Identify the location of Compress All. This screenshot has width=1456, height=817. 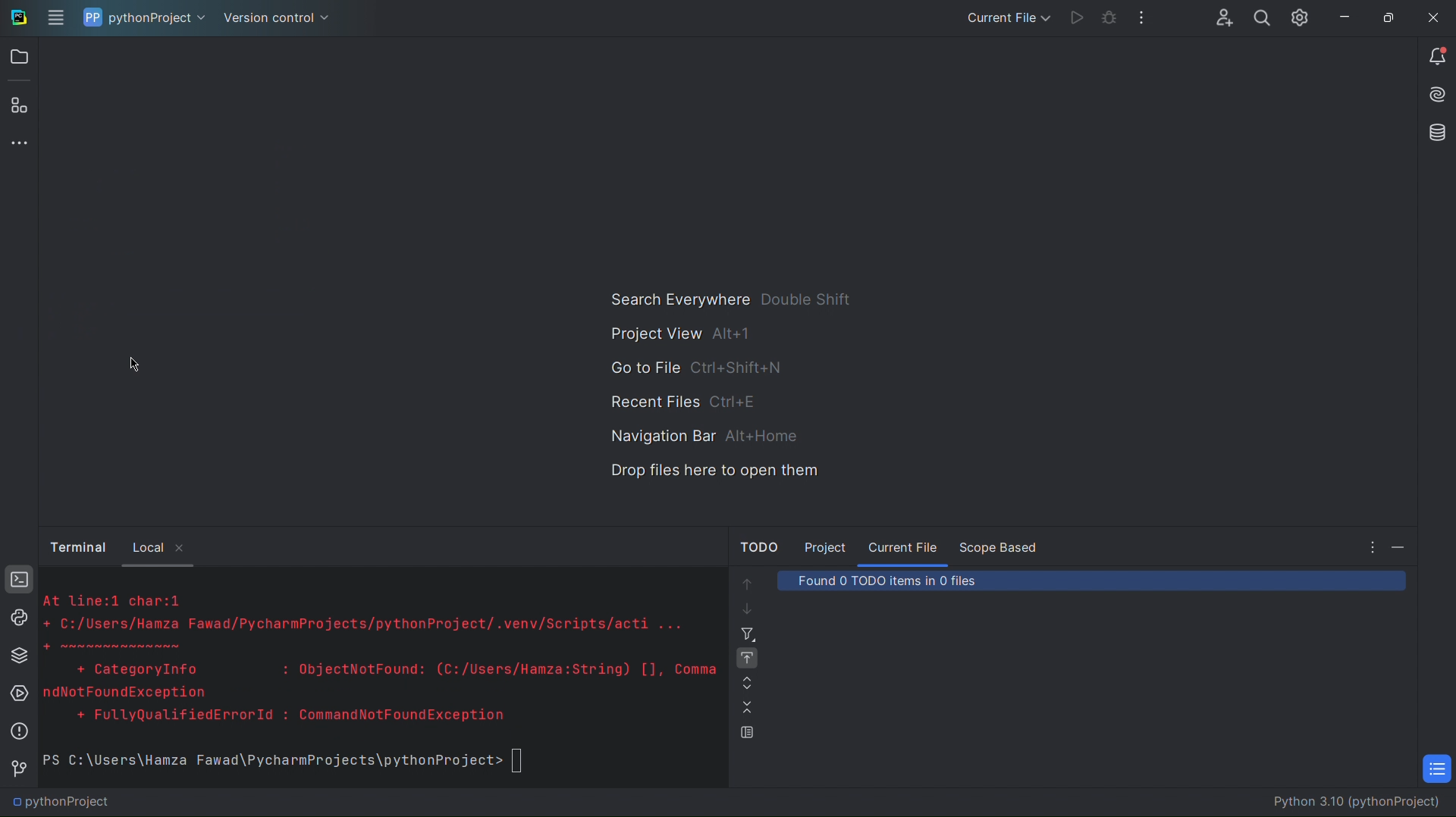
(747, 709).